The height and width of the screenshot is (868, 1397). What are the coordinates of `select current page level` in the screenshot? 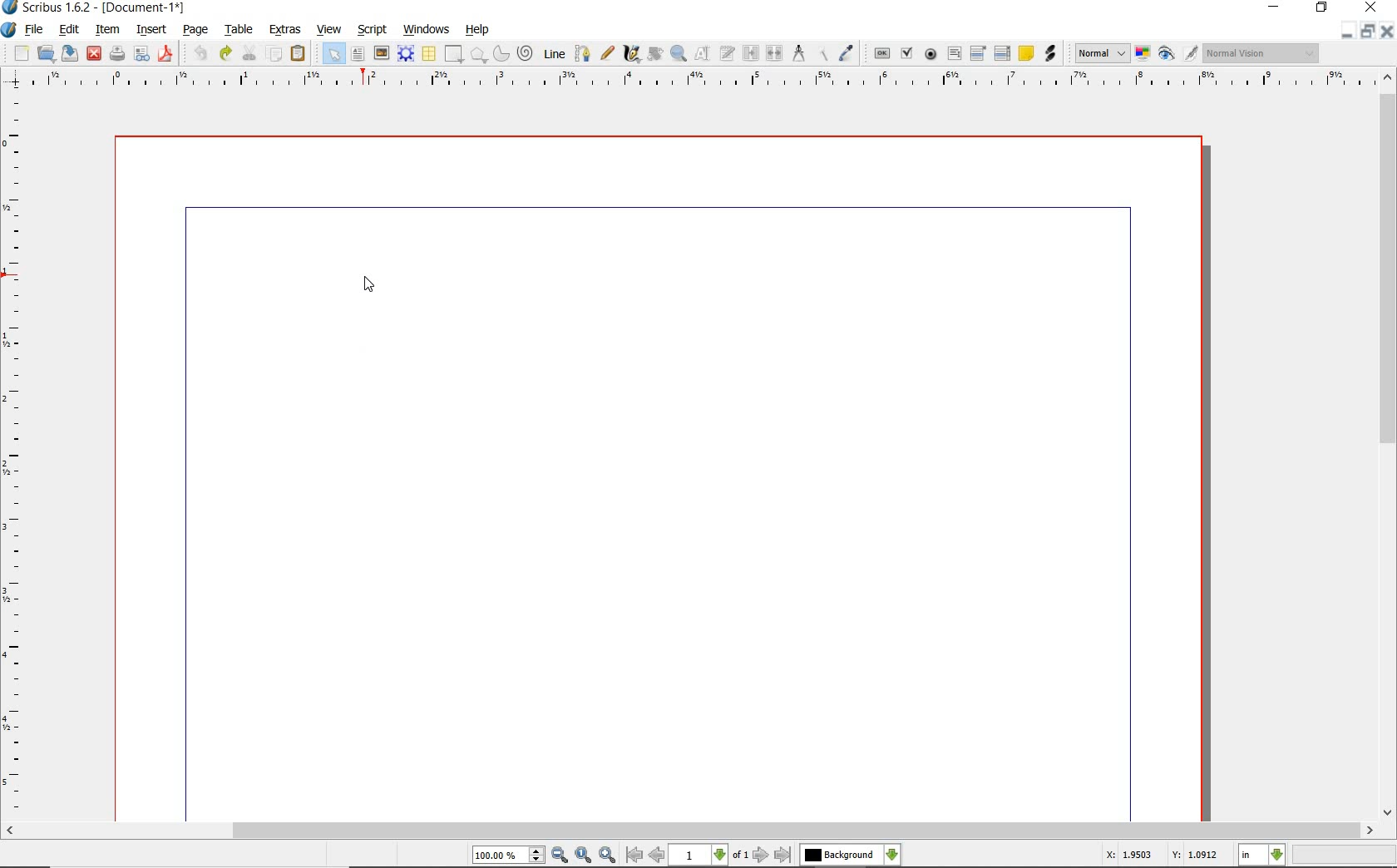 It's located at (709, 855).